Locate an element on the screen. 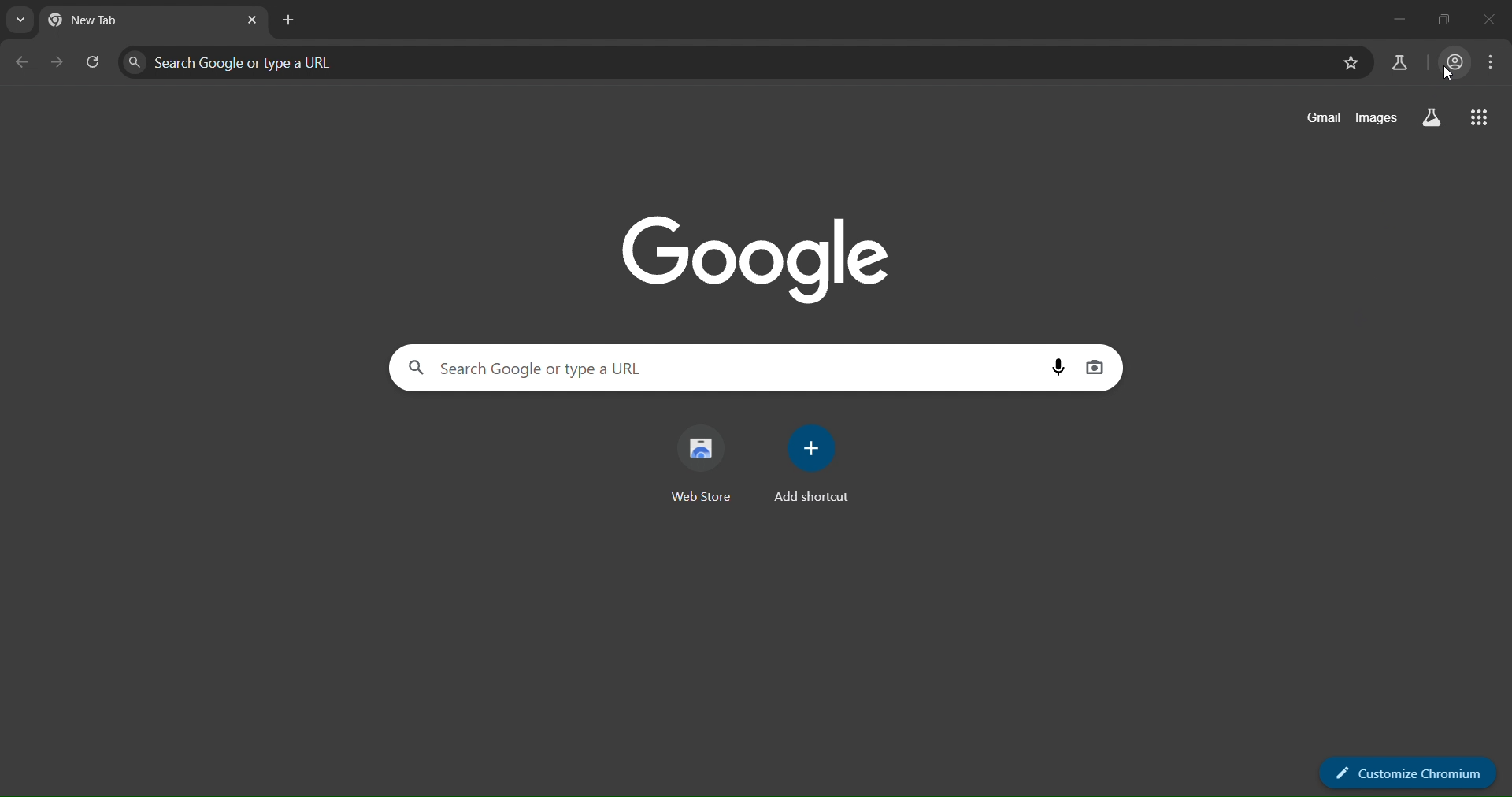 This screenshot has height=797, width=1512. webstore is located at coordinates (705, 465).